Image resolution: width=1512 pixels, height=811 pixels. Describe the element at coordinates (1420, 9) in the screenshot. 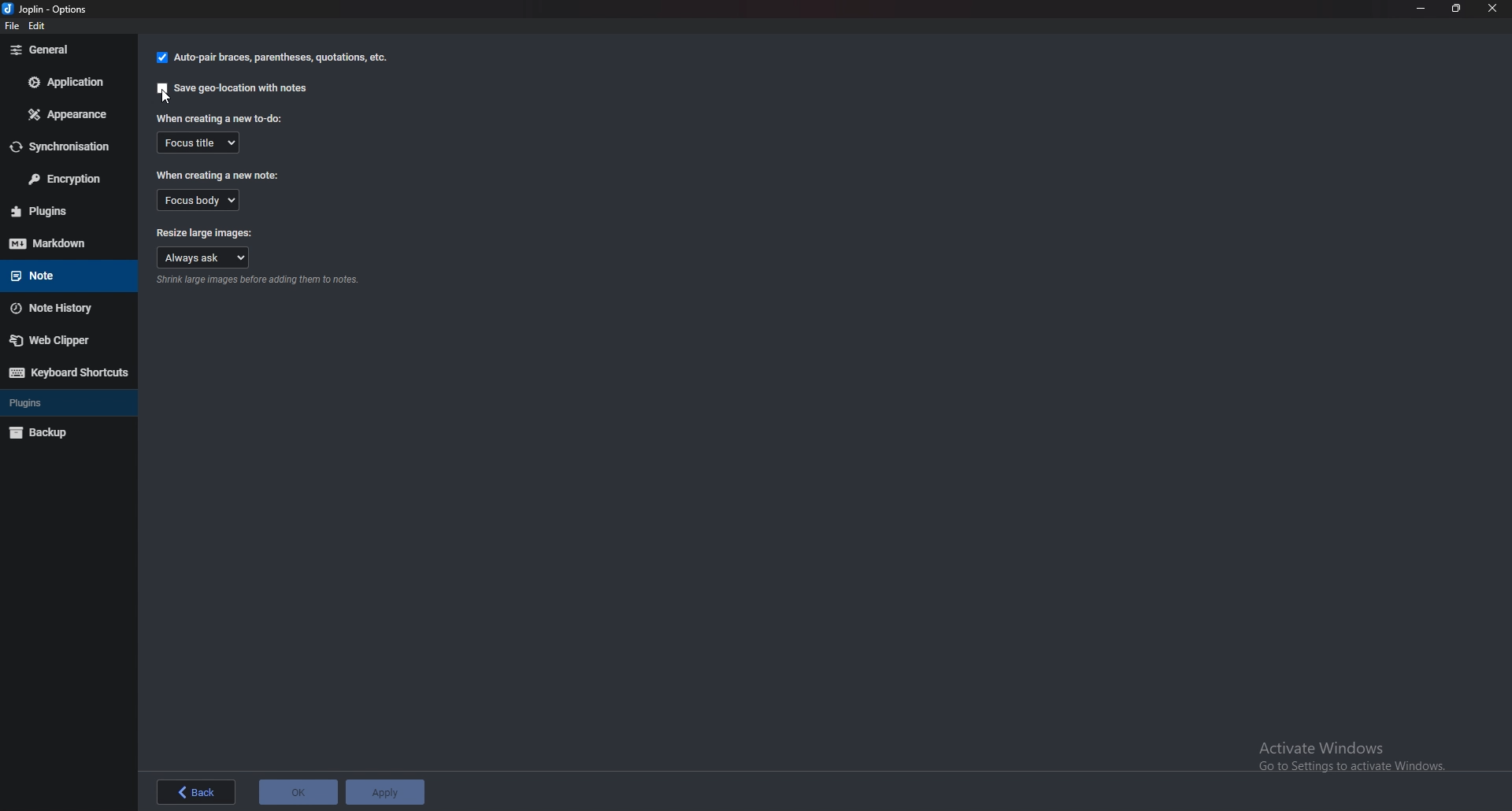

I see `Minimize` at that location.